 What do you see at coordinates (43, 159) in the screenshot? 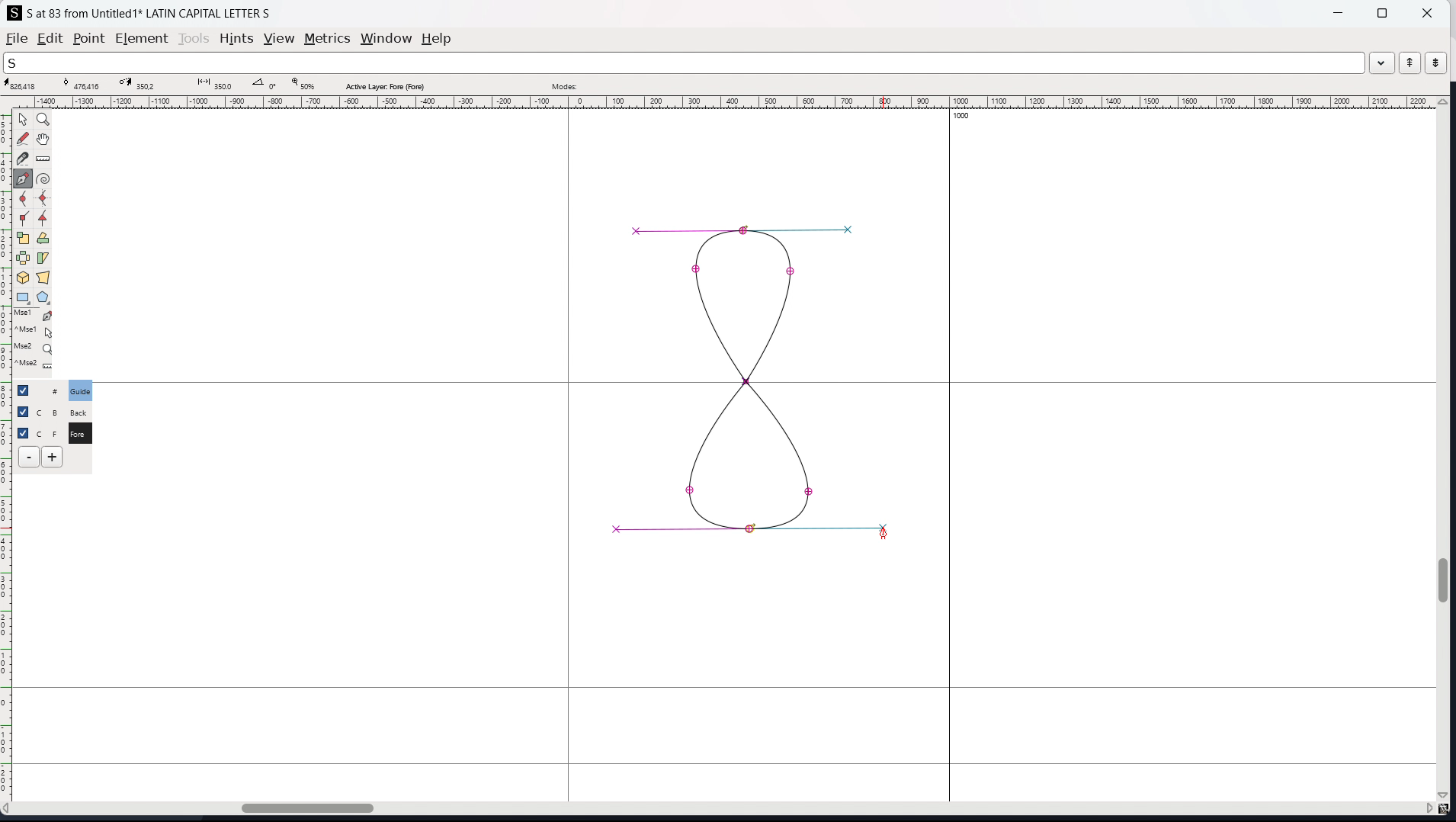
I see `measure distance, angle between two points` at bounding box center [43, 159].